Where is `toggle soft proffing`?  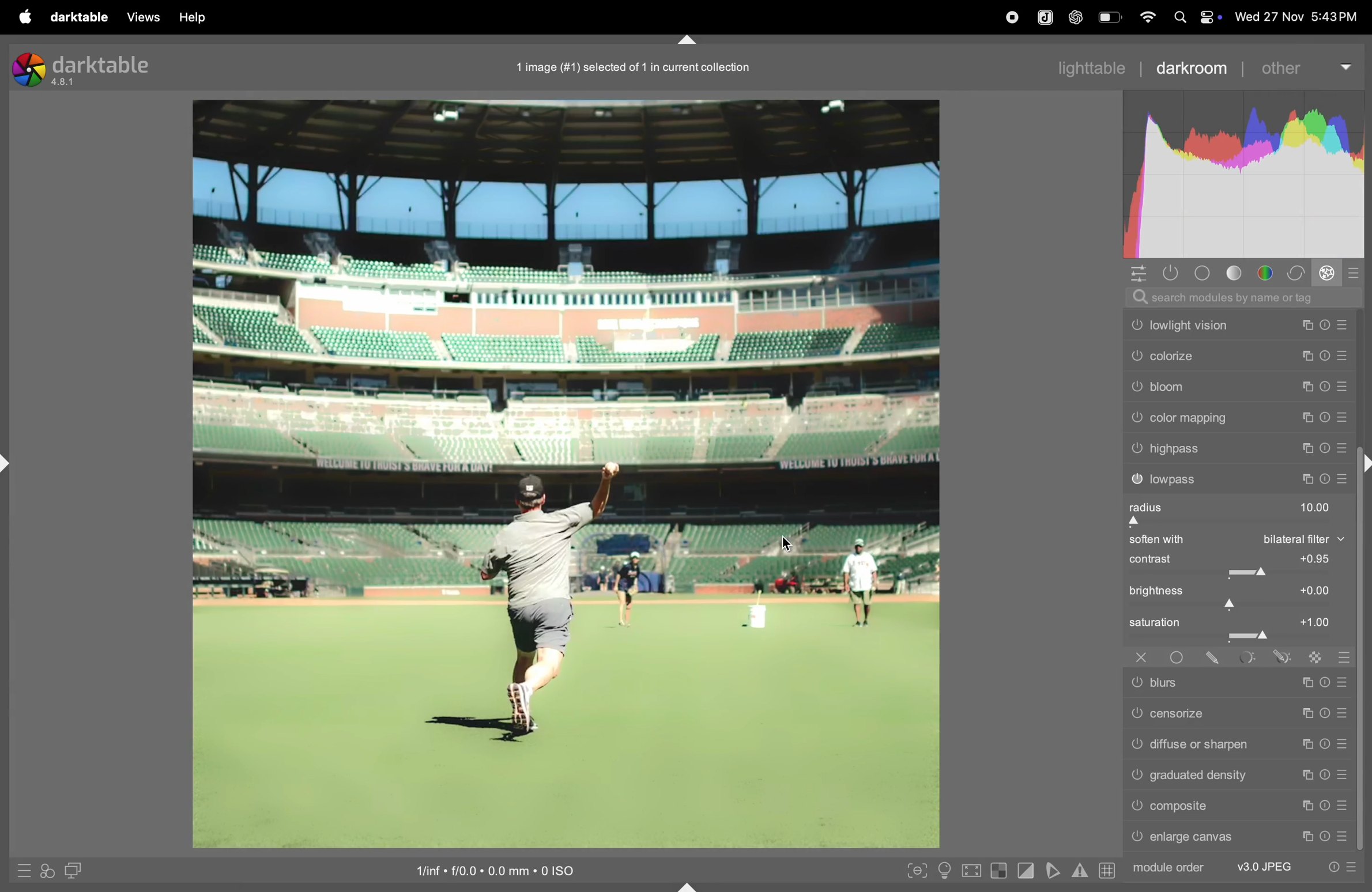
toggle soft proffing is located at coordinates (1053, 870).